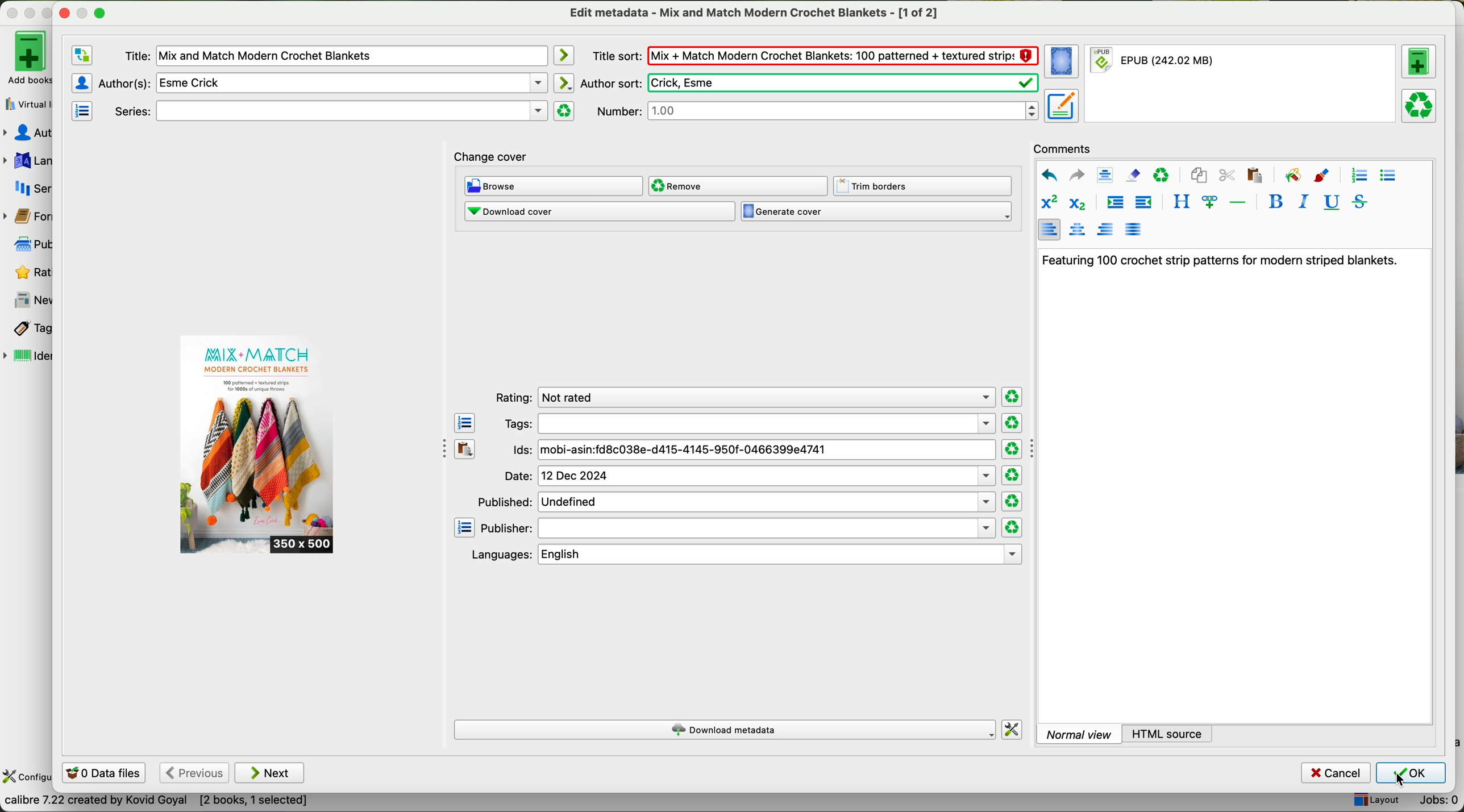  I want to click on change how calibre downloads metadata, so click(1013, 730).